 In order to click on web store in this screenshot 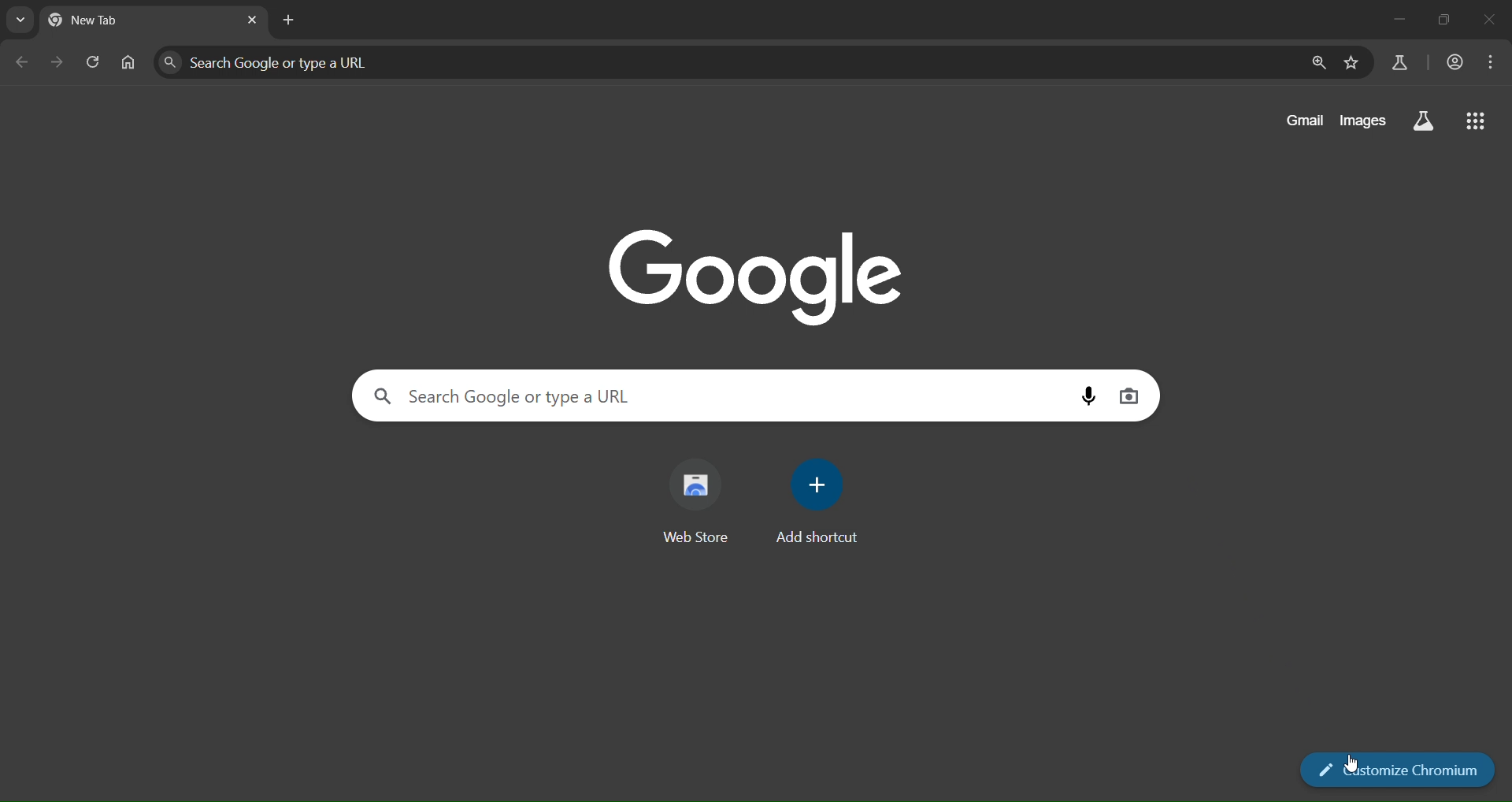, I will do `click(699, 496)`.